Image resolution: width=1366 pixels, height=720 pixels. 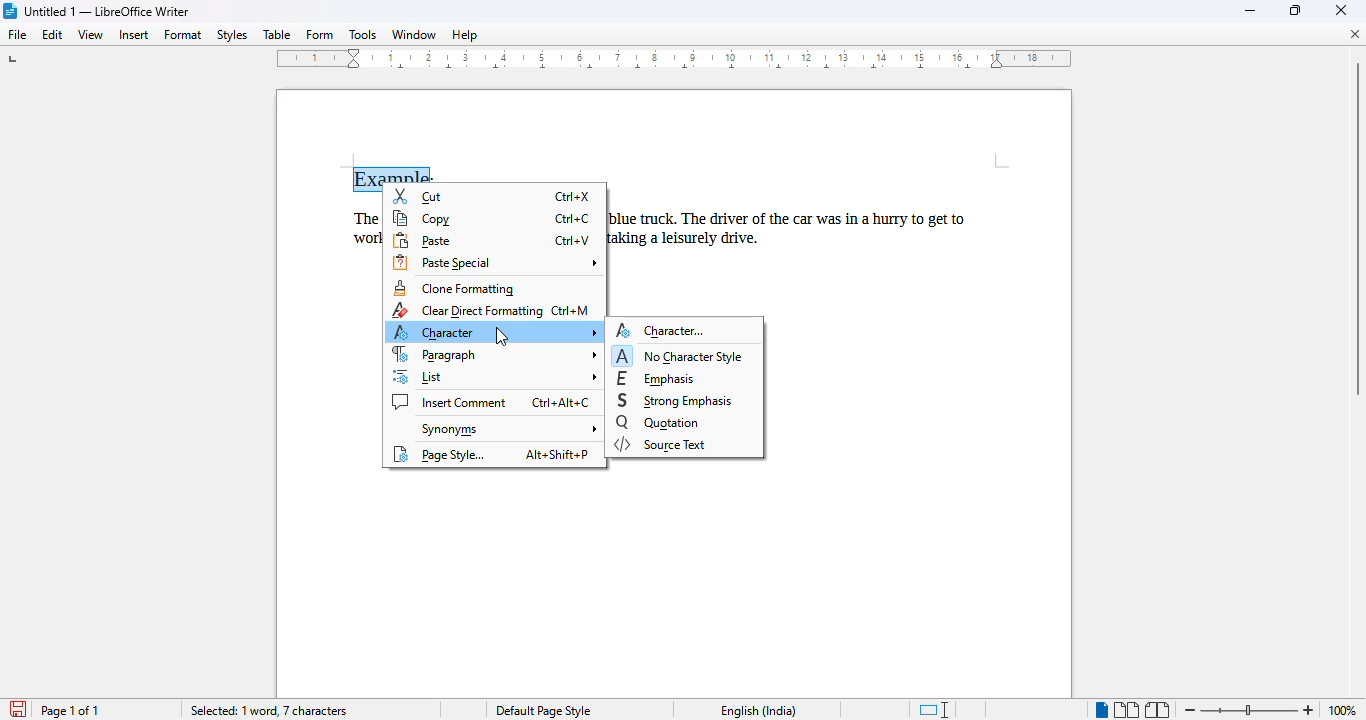 What do you see at coordinates (1158, 710) in the screenshot?
I see `book view` at bounding box center [1158, 710].